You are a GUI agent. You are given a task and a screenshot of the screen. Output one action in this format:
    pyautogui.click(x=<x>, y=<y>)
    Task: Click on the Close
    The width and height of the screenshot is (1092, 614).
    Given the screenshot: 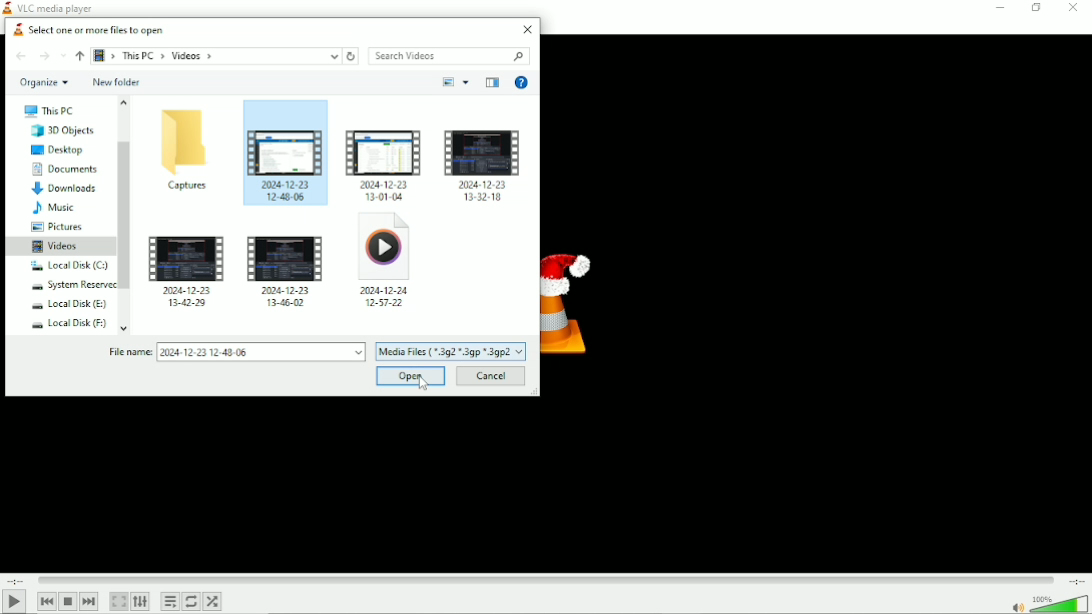 What is the action you would take?
    pyautogui.click(x=1072, y=7)
    